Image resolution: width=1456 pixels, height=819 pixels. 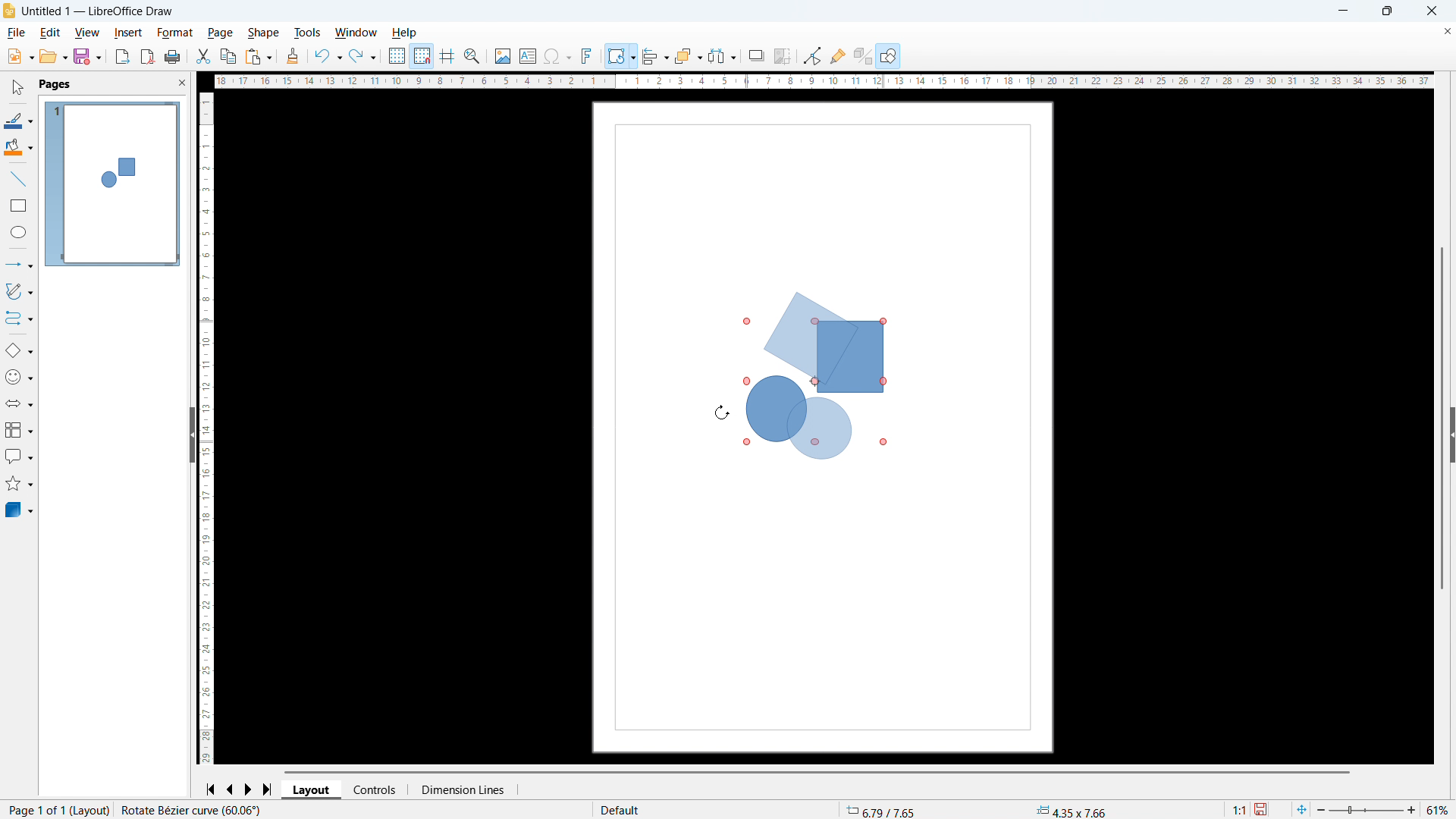 What do you see at coordinates (722, 413) in the screenshot?
I see `Cursor ` at bounding box center [722, 413].